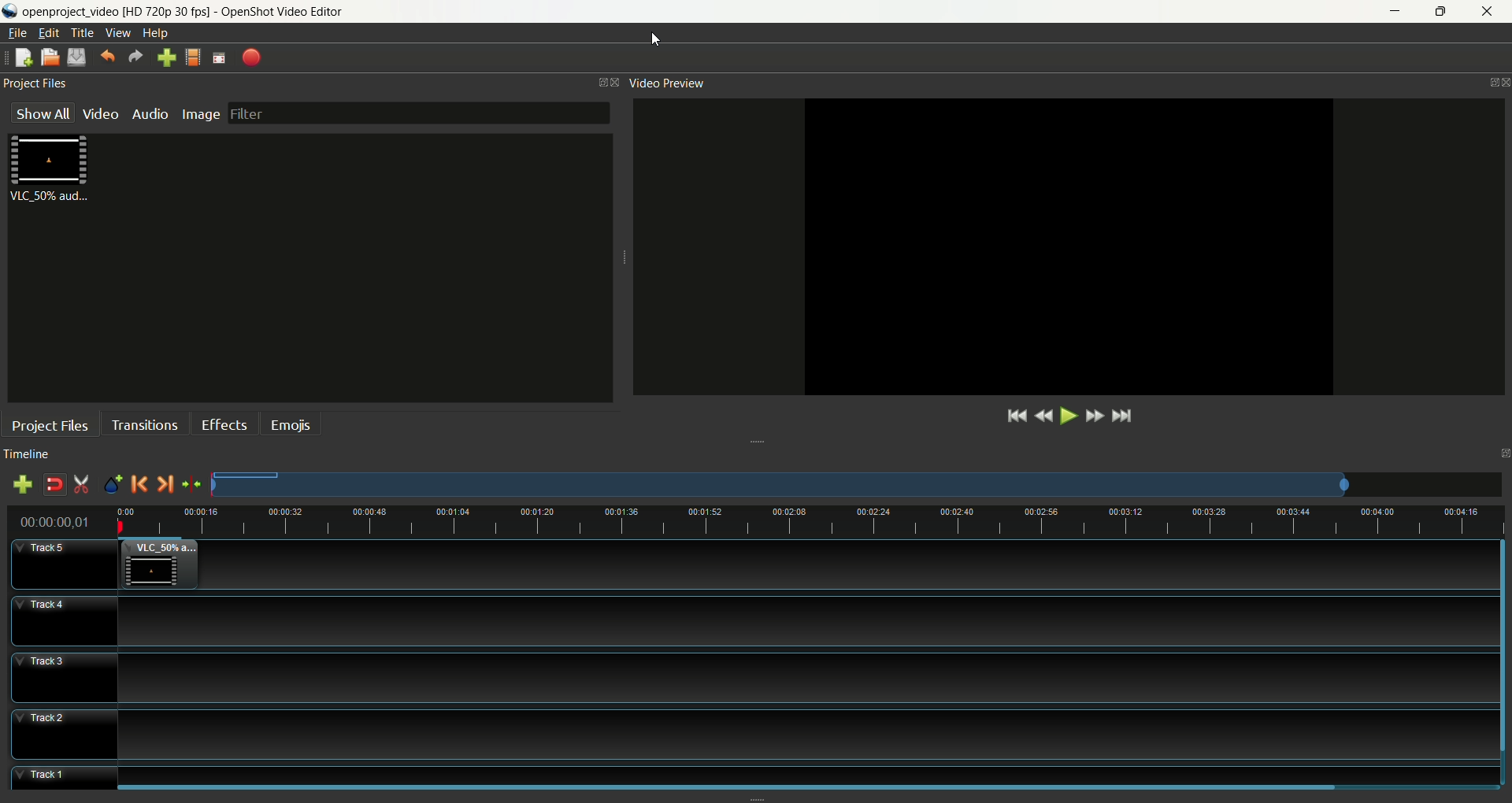 The height and width of the screenshot is (803, 1512). I want to click on title, so click(82, 32).